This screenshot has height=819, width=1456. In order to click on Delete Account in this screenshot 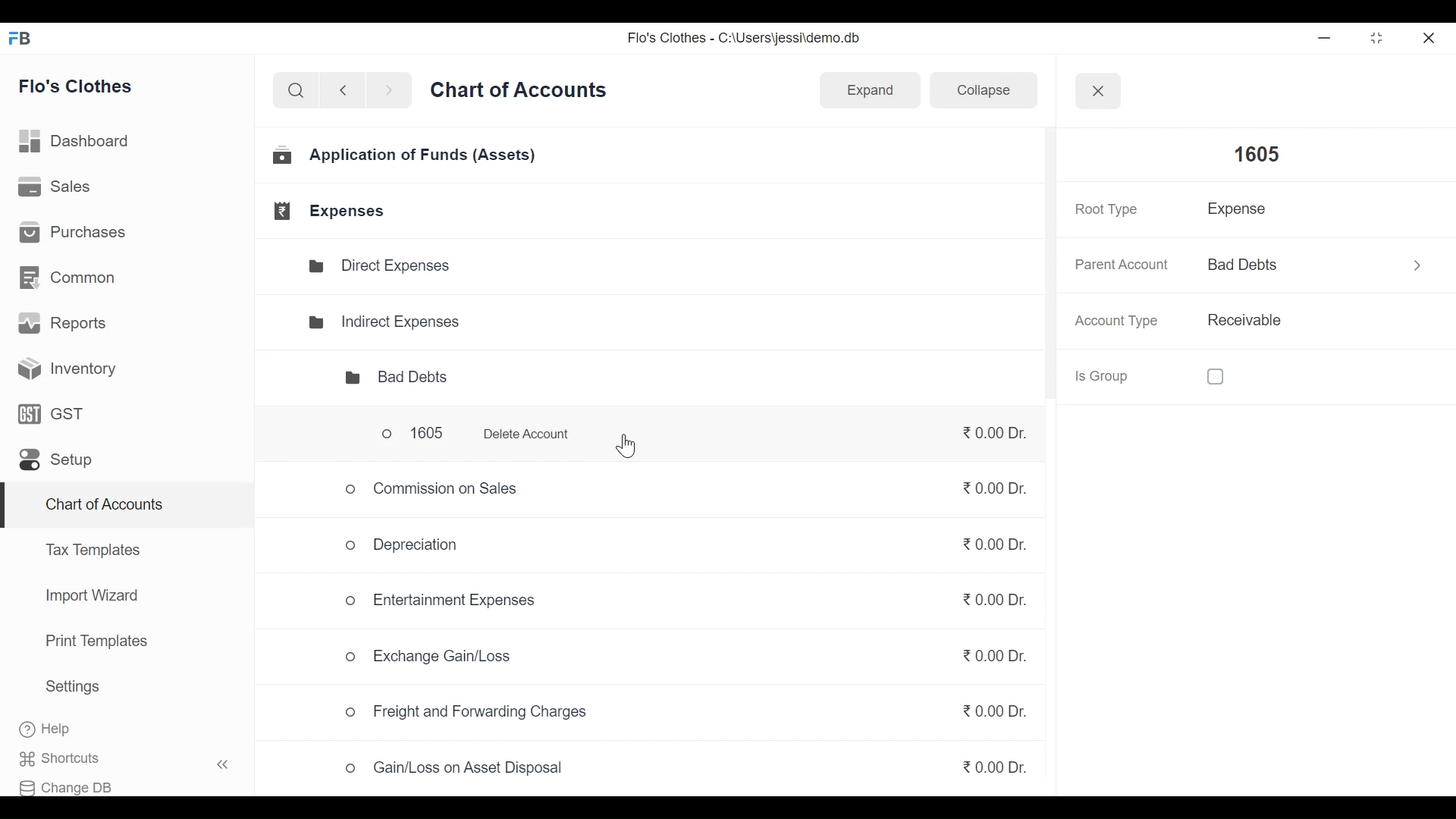, I will do `click(527, 434)`.